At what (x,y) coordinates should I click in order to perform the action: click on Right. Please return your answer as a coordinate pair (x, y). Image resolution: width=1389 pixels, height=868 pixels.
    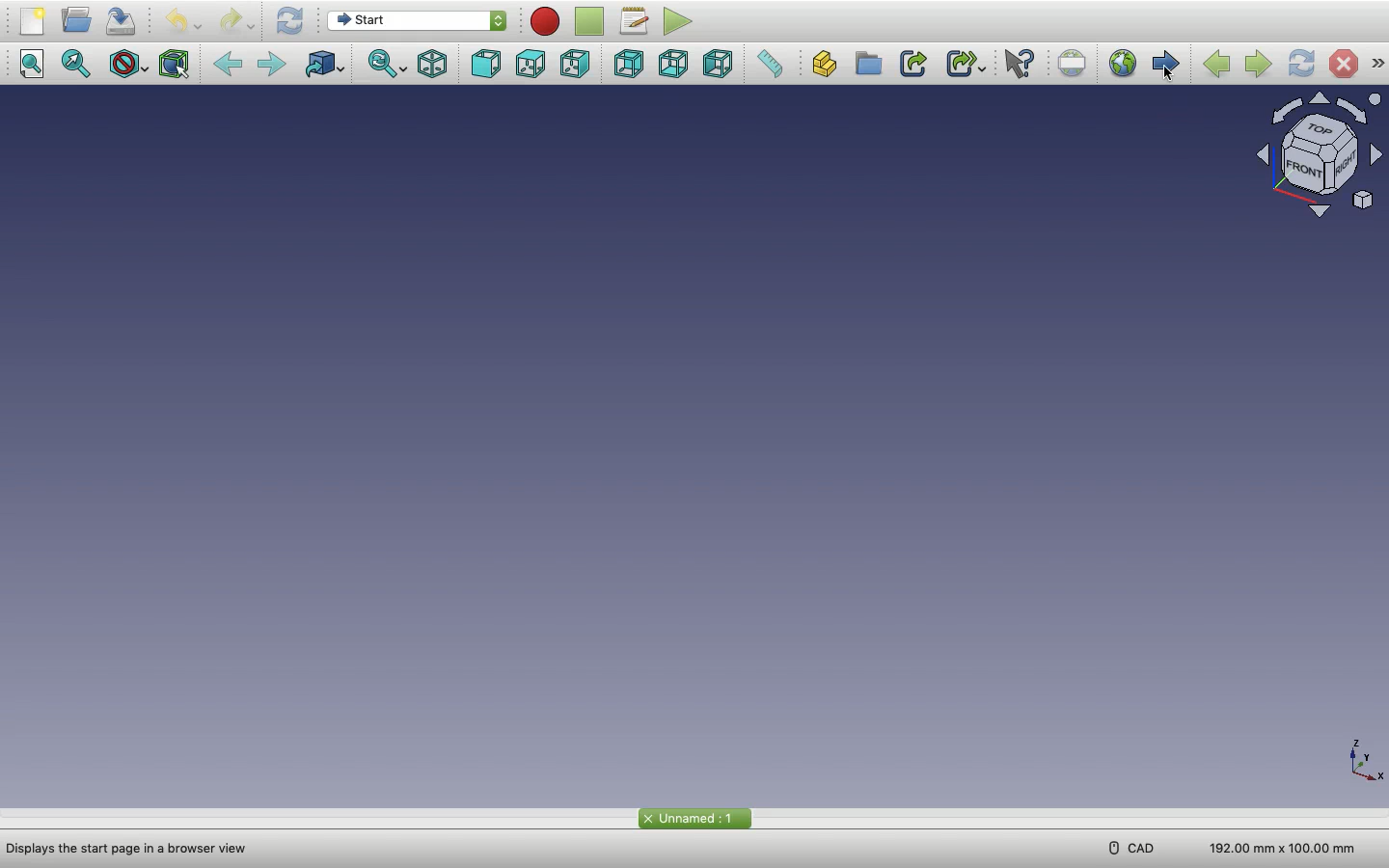
    Looking at the image, I should click on (574, 64).